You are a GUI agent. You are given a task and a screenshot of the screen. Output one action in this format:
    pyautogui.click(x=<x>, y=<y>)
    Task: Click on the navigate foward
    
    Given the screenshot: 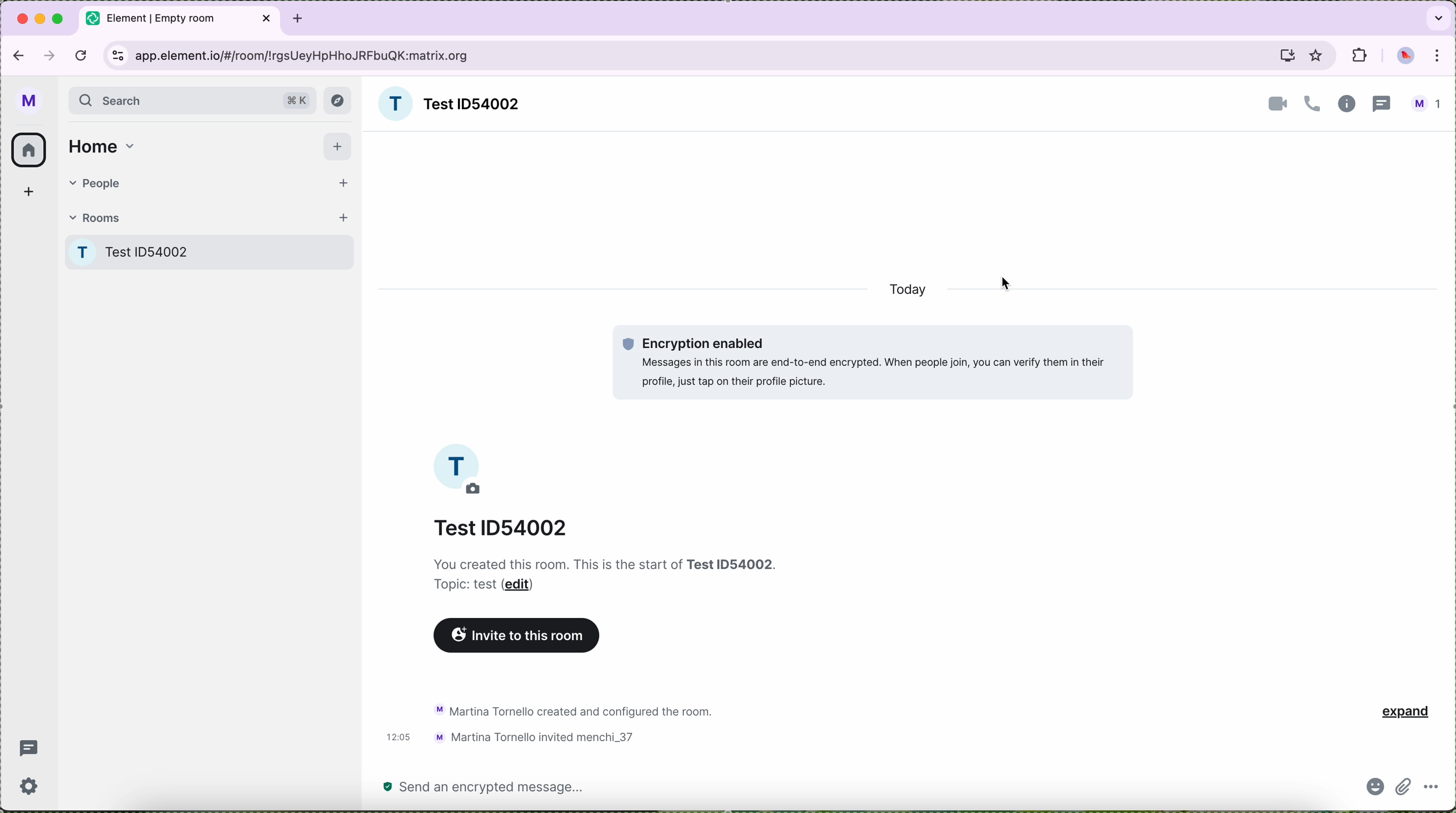 What is the action you would take?
    pyautogui.click(x=48, y=56)
    